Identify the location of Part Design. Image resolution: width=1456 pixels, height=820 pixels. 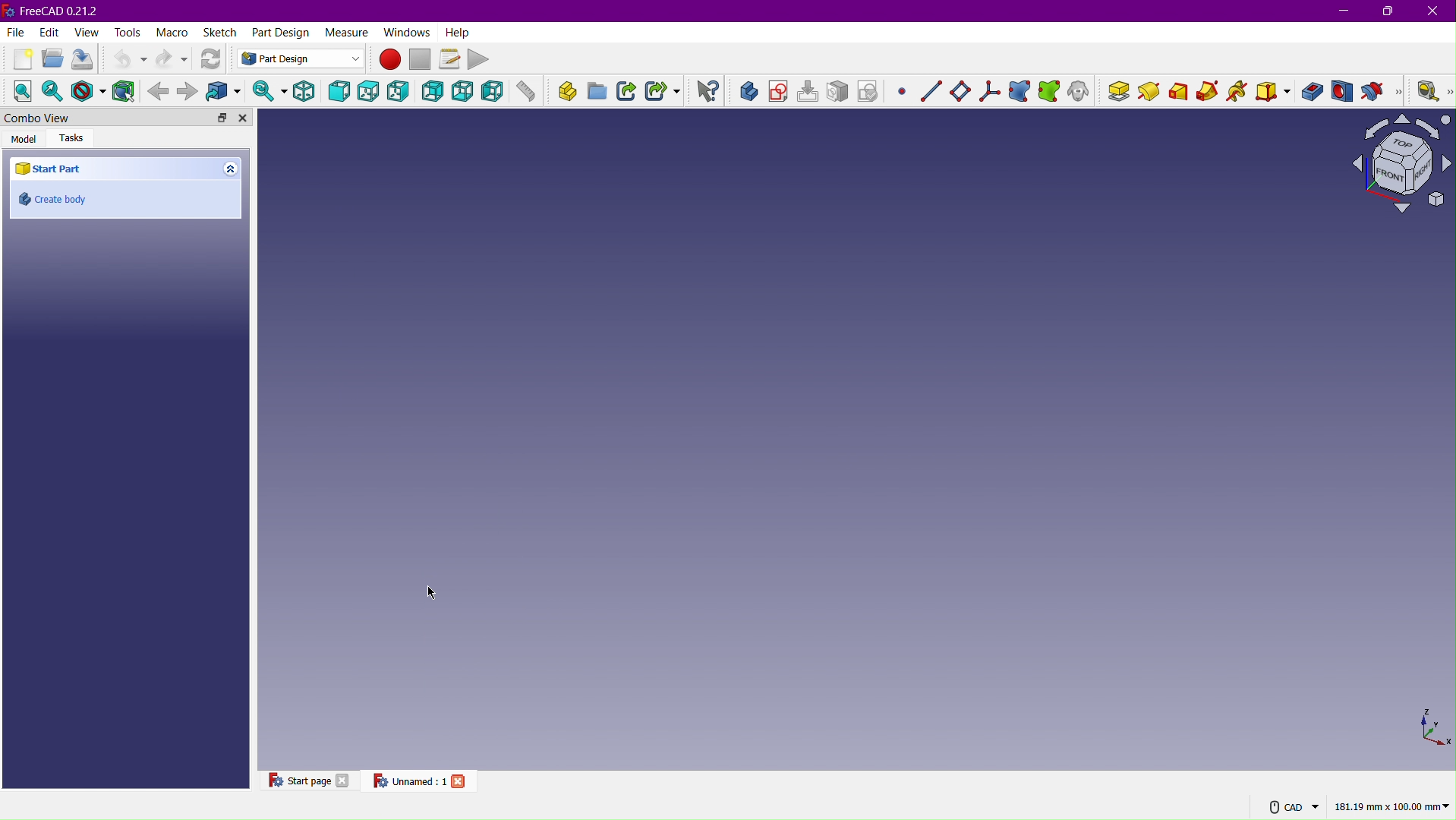
(304, 58).